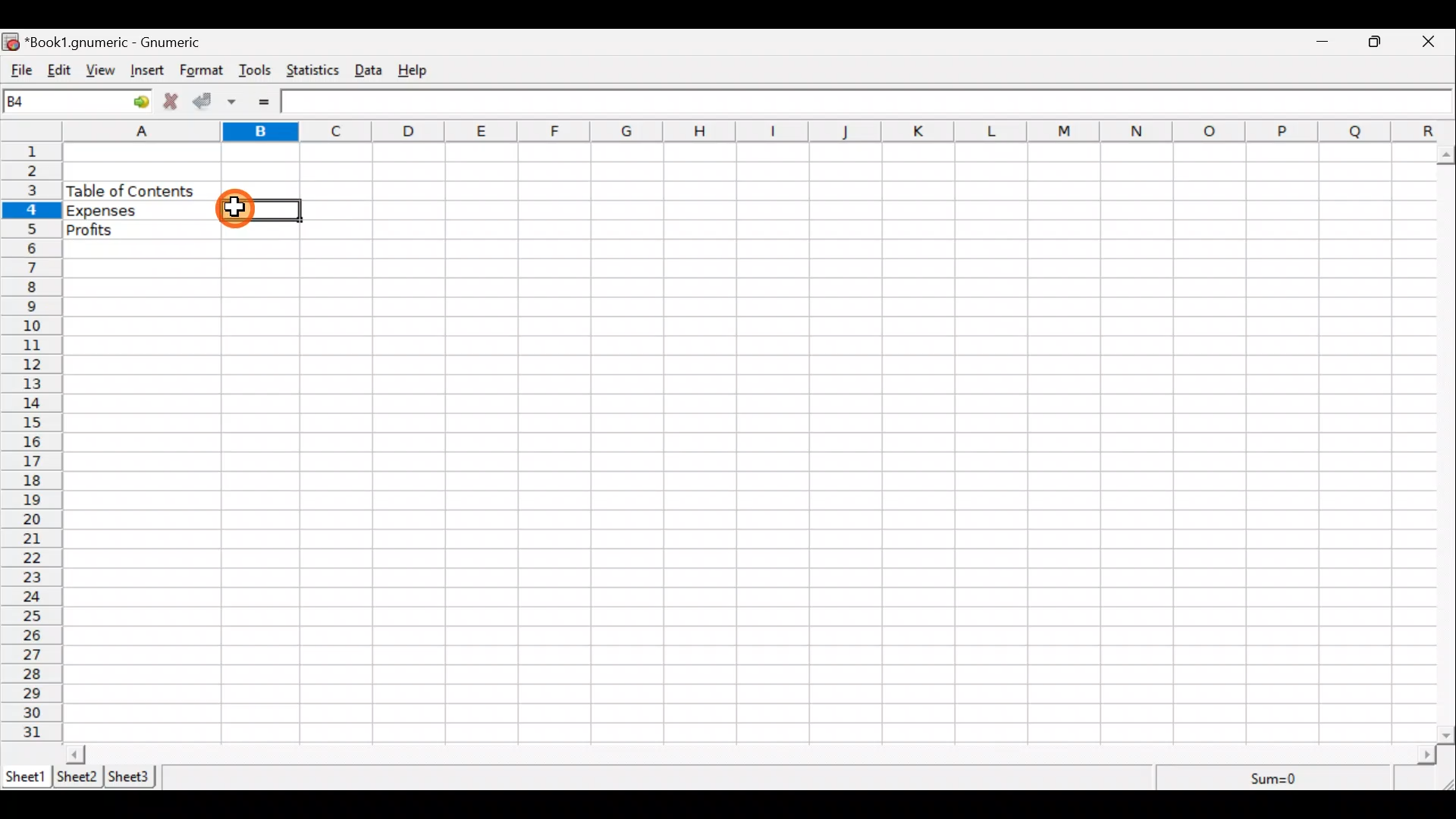  I want to click on Enter formula, so click(272, 102).